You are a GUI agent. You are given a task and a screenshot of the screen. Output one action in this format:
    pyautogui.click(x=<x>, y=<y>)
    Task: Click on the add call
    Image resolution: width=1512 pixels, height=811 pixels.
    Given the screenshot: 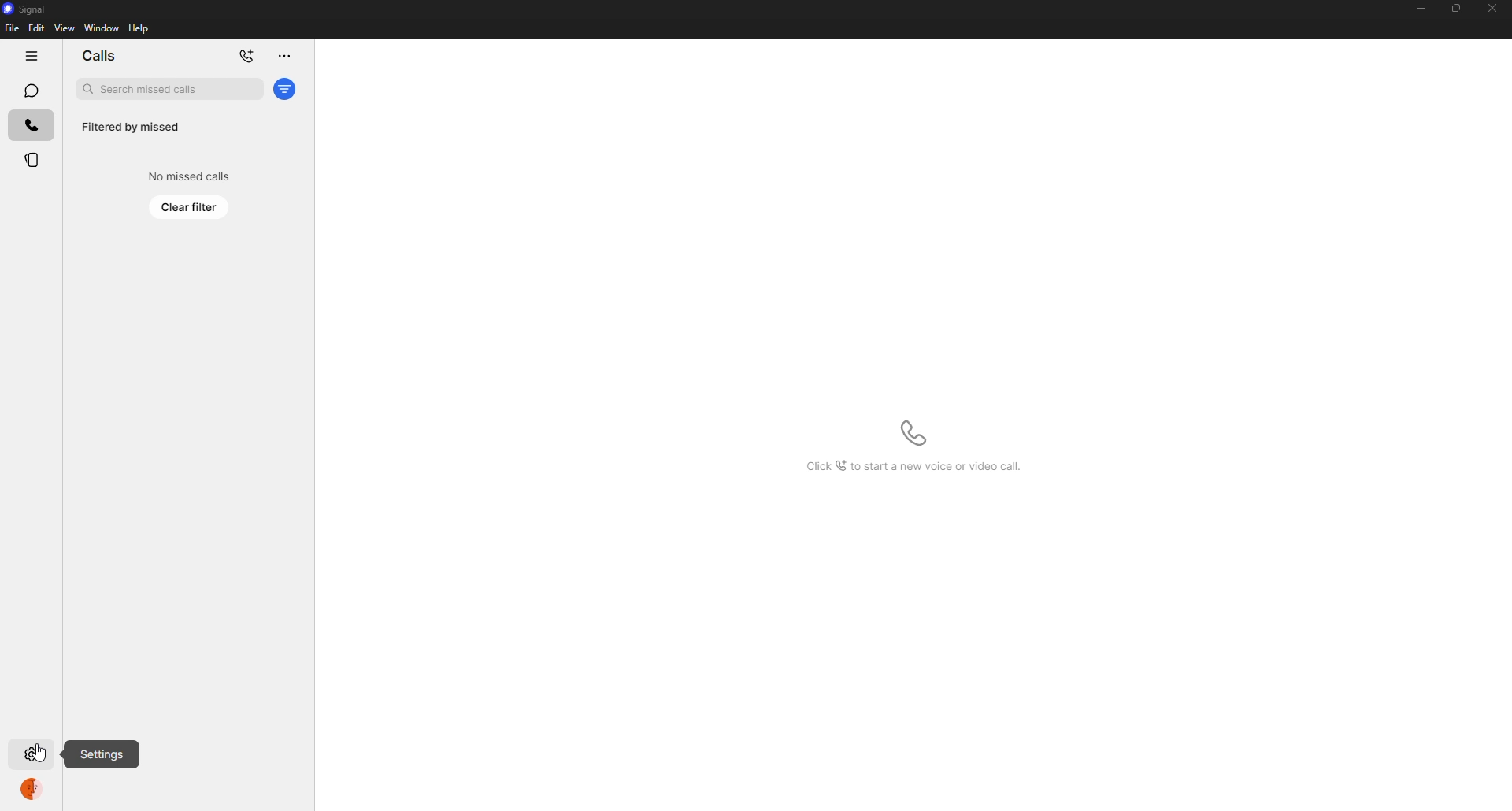 What is the action you would take?
    pyautogui.click(x=246, y=56)
    